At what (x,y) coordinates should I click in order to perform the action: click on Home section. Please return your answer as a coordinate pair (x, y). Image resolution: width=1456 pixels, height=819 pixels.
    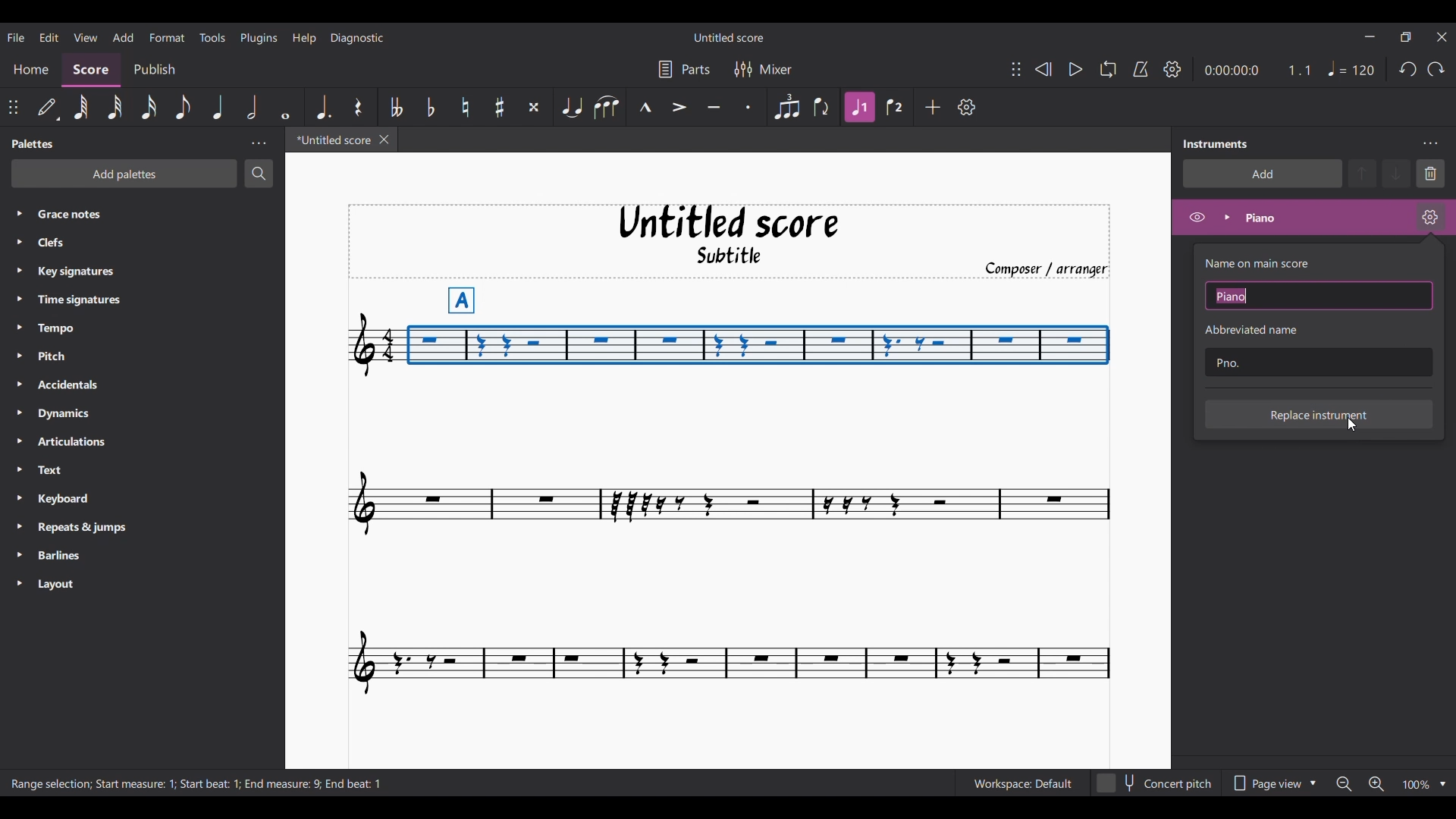
    Looking at the image, I should click on (32, 67).